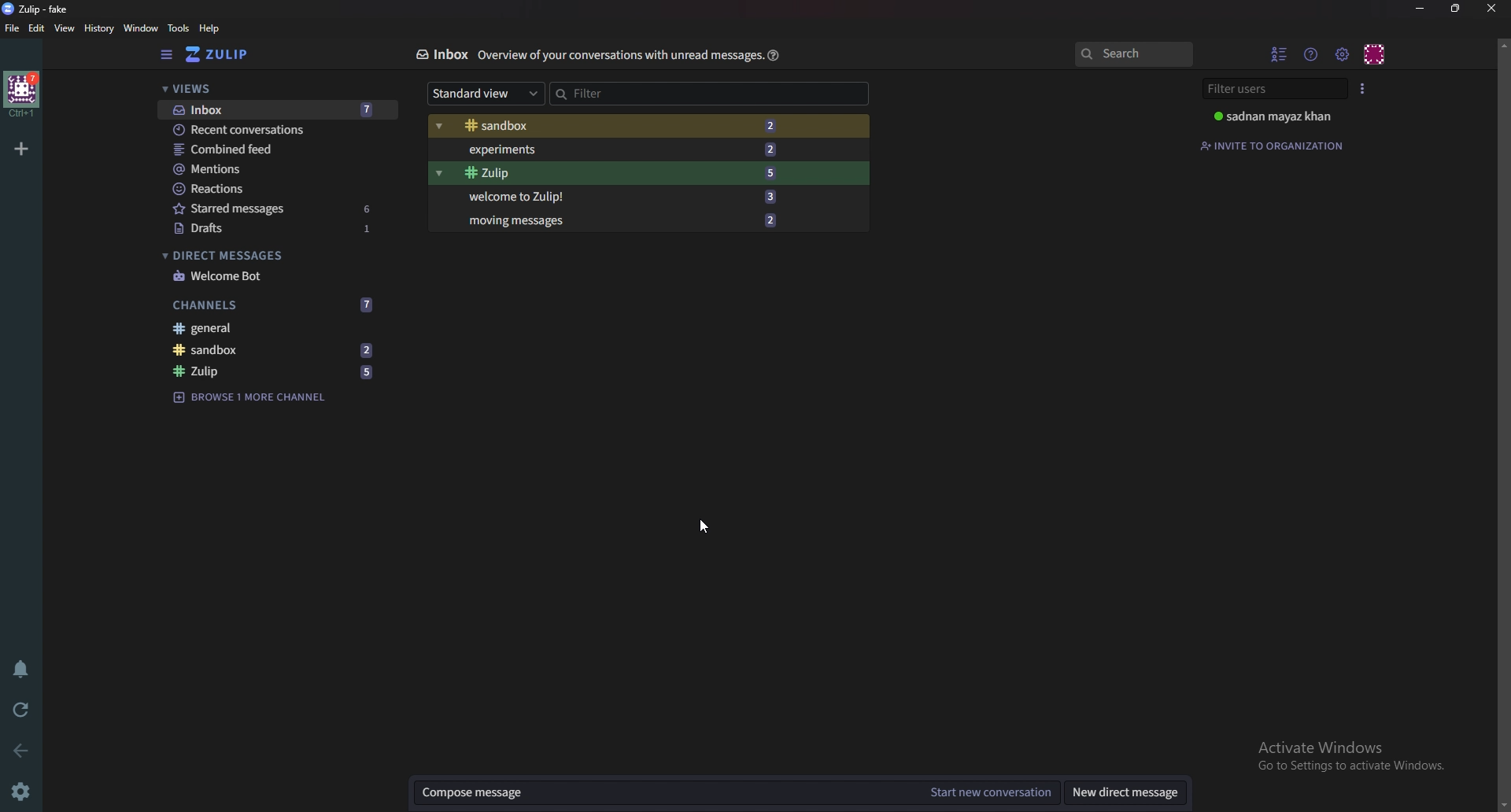  What do you see at coordinates (216, 54) in the screenshot?
I see `home view` at bounding box center [216, 54].